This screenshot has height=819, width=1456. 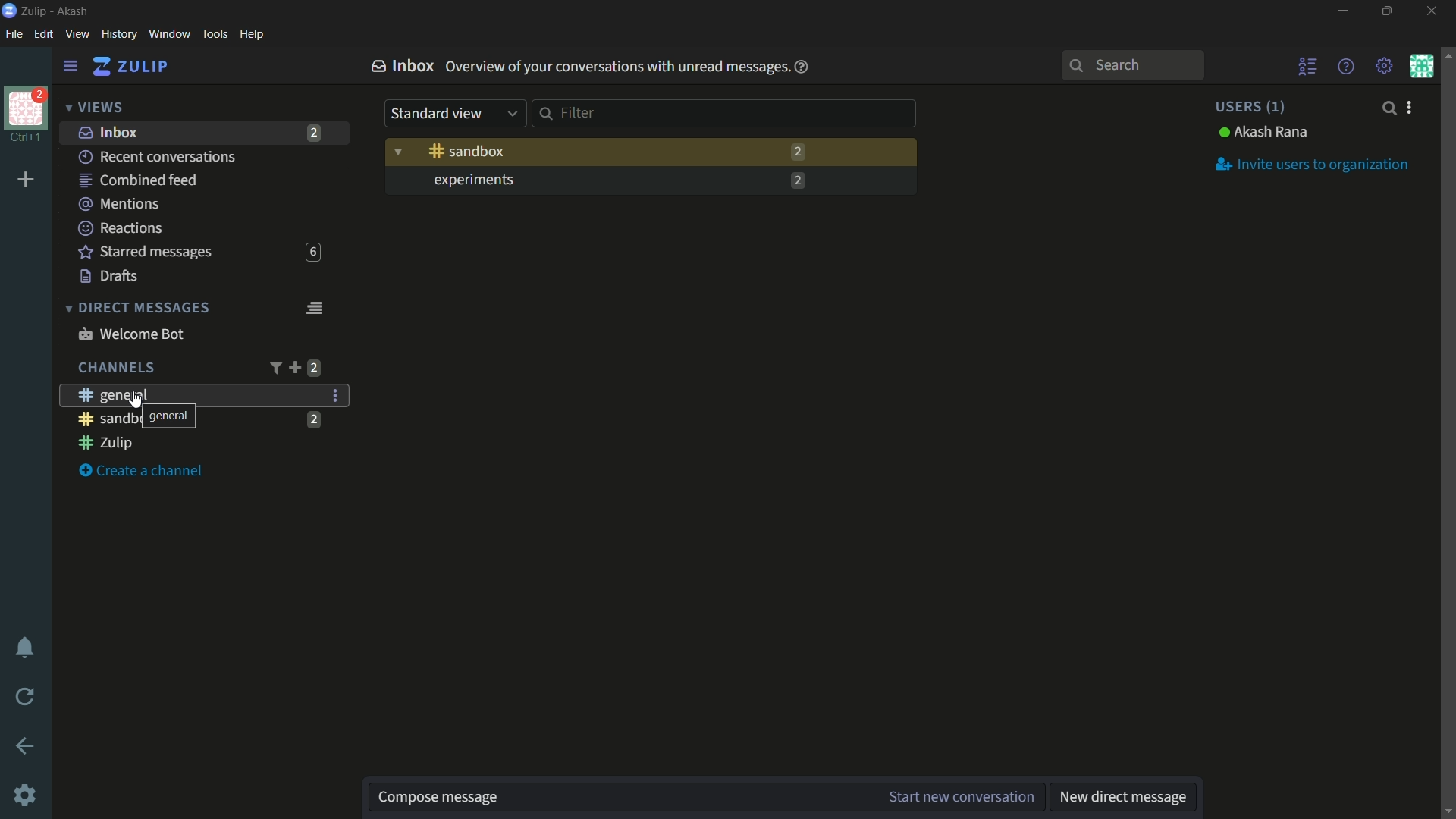 What do you see at coordinates (959, 797) in the screenshot?
I see `start new conversation` at bounding box center [959, 797].